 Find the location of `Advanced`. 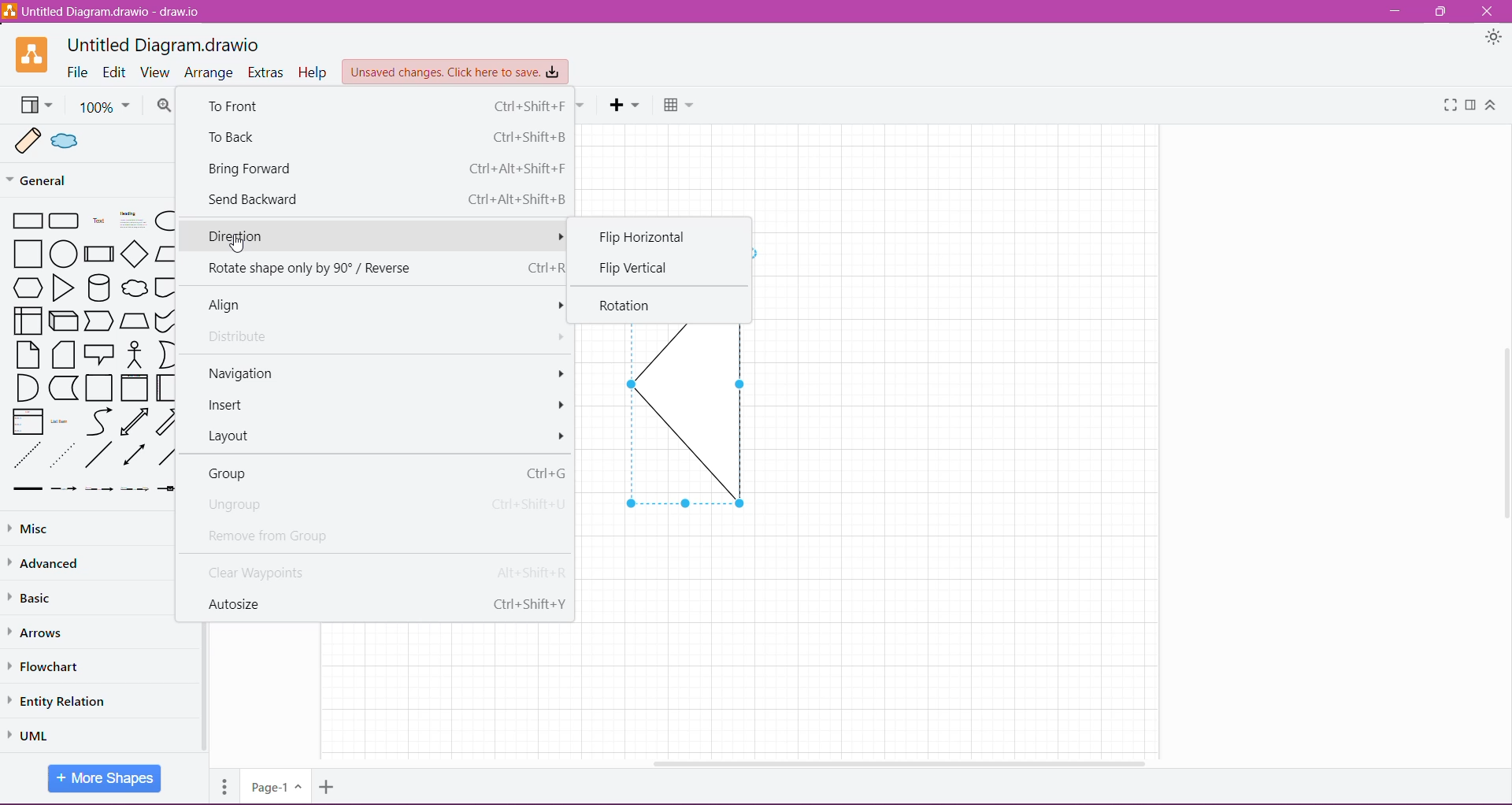

Advanced is located at coordinates (48, 566).